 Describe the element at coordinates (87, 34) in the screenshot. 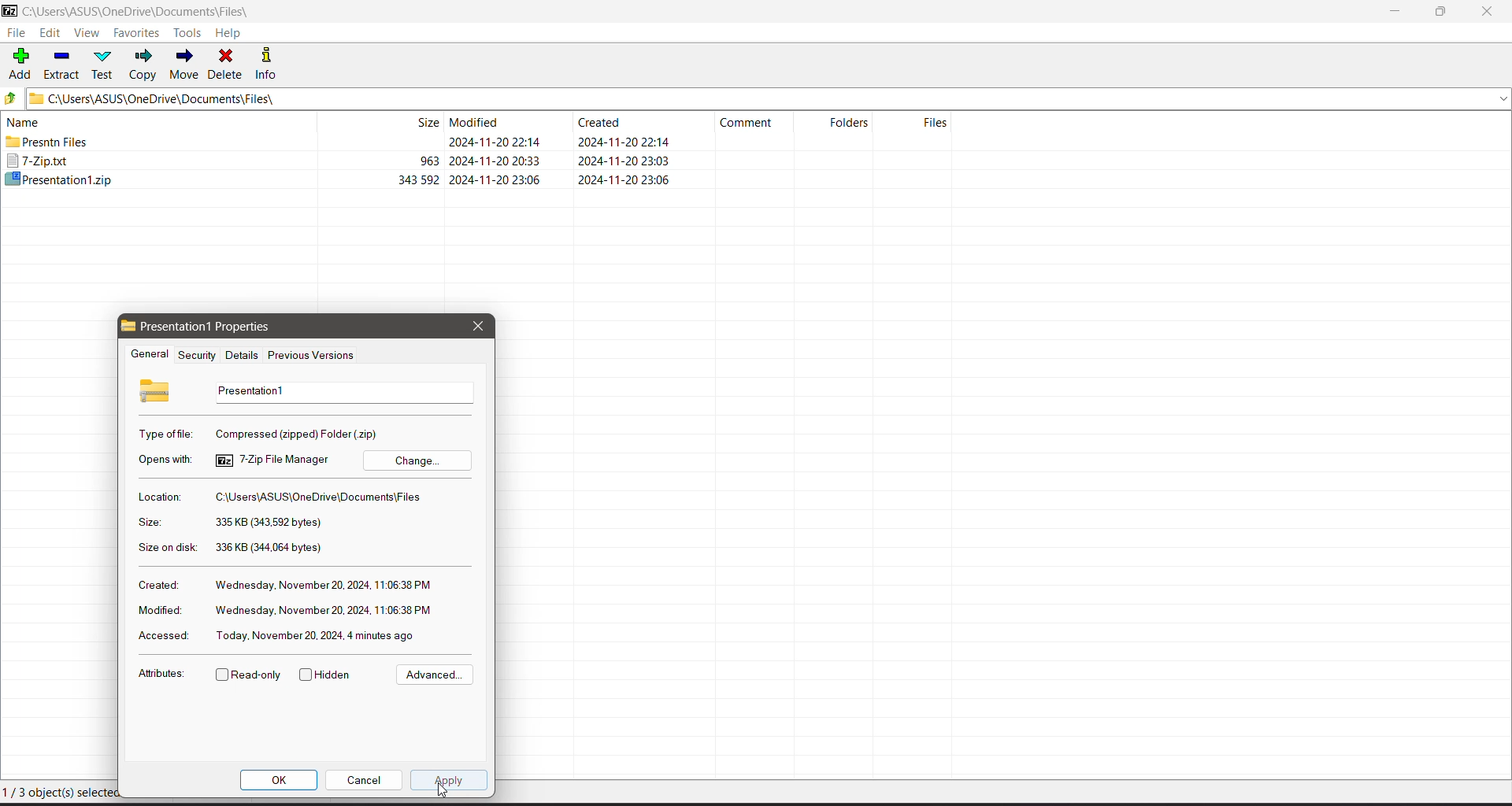

I see `View` at that location.